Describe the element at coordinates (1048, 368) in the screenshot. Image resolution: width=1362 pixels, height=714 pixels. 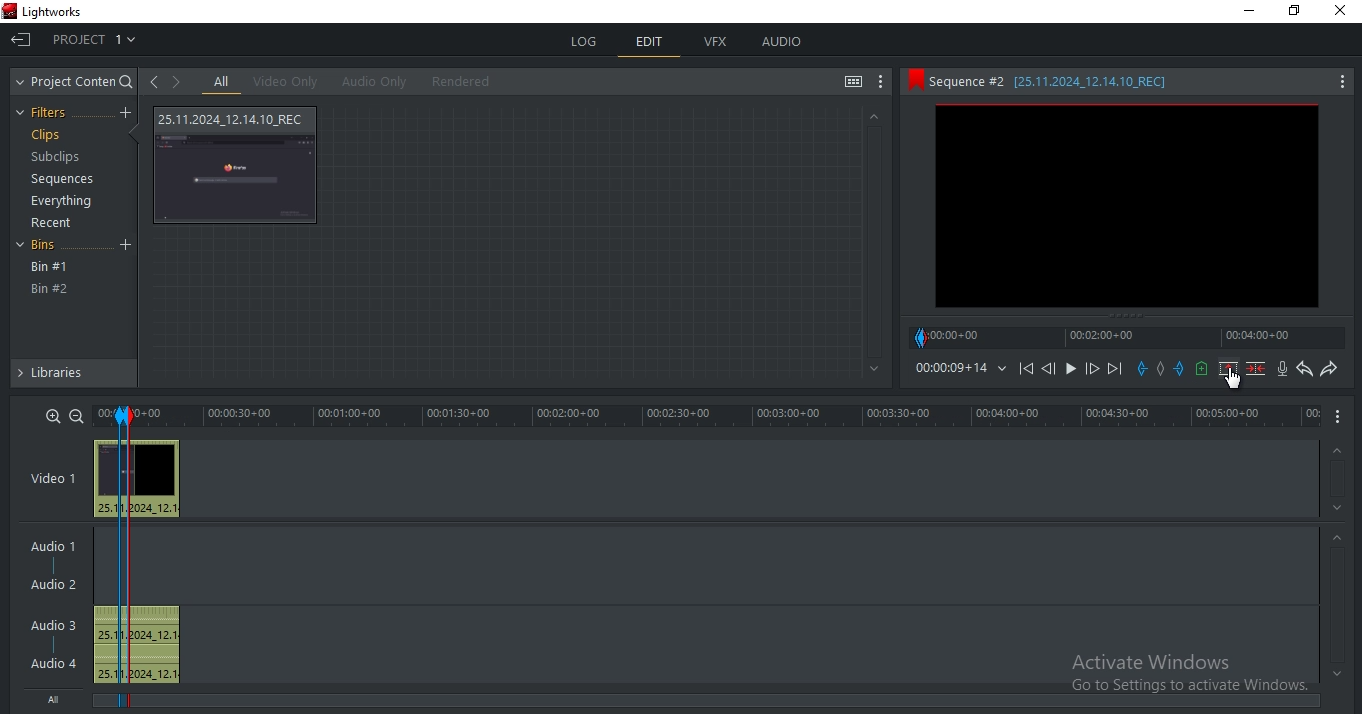
I see `Previous` at that location.